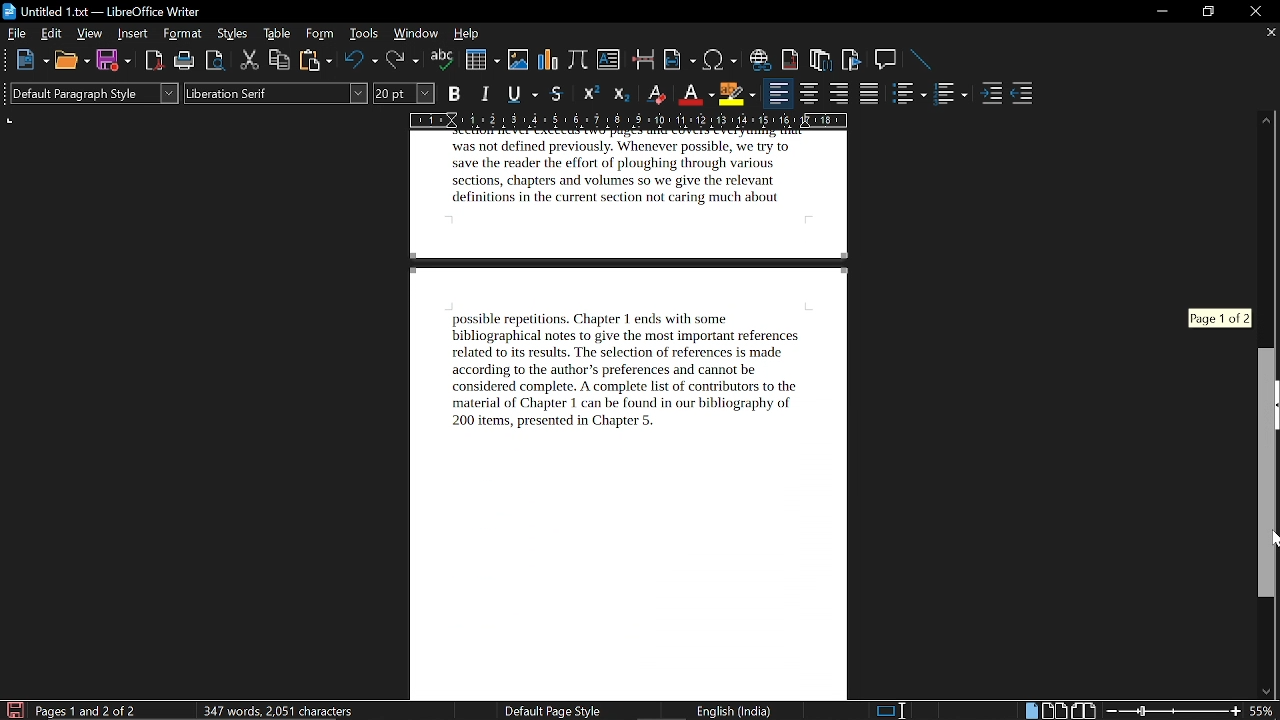 This screenshot has height=720, width=1280. Describe the element at coordinates (952, 95) in the screenshot. I see `toggle unordered list` at that location.